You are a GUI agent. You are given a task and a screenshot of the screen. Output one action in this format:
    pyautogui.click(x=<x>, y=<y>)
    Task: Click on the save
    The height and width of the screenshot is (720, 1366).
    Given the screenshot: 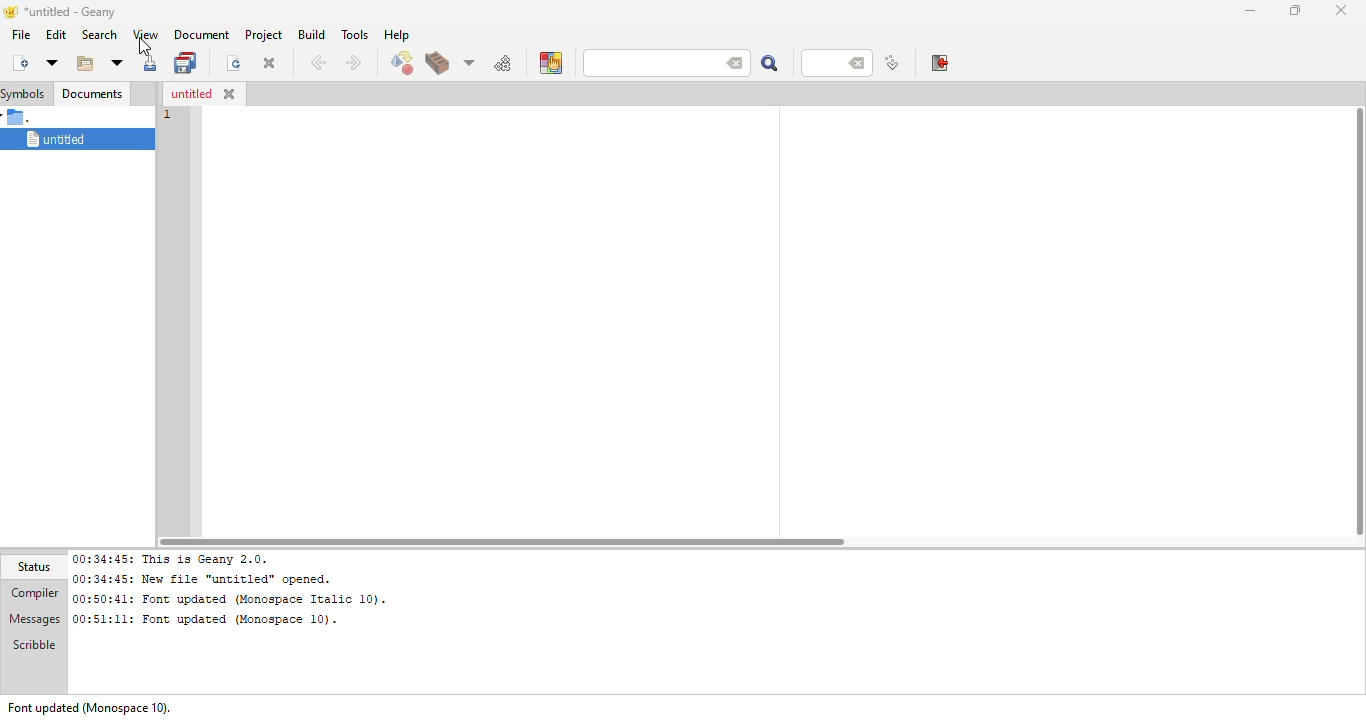 What is the action you would take?
    pyautogui.click(x=149, y=65)
    